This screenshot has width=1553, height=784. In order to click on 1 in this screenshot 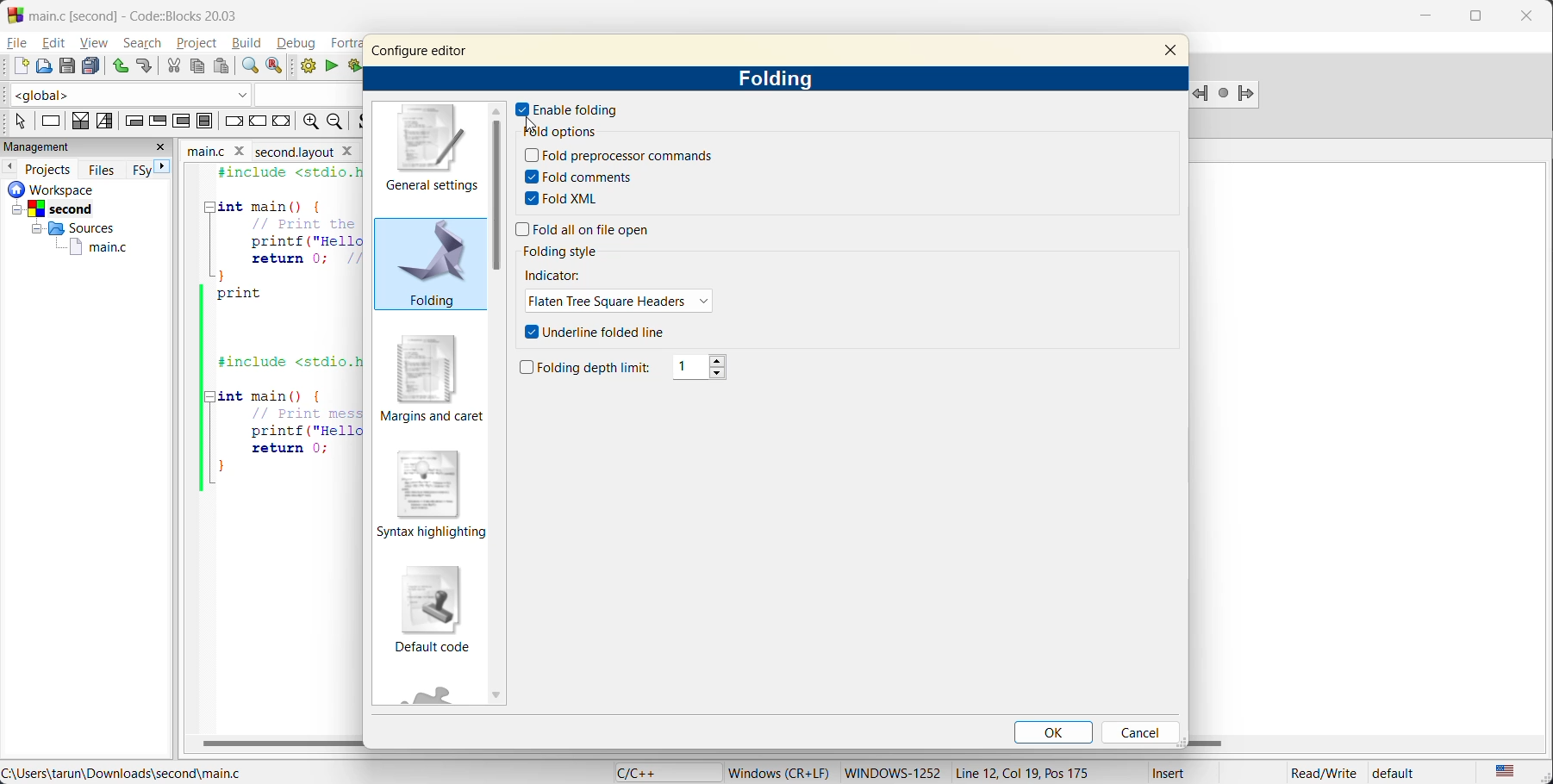, I will do `click(708, 365)`.